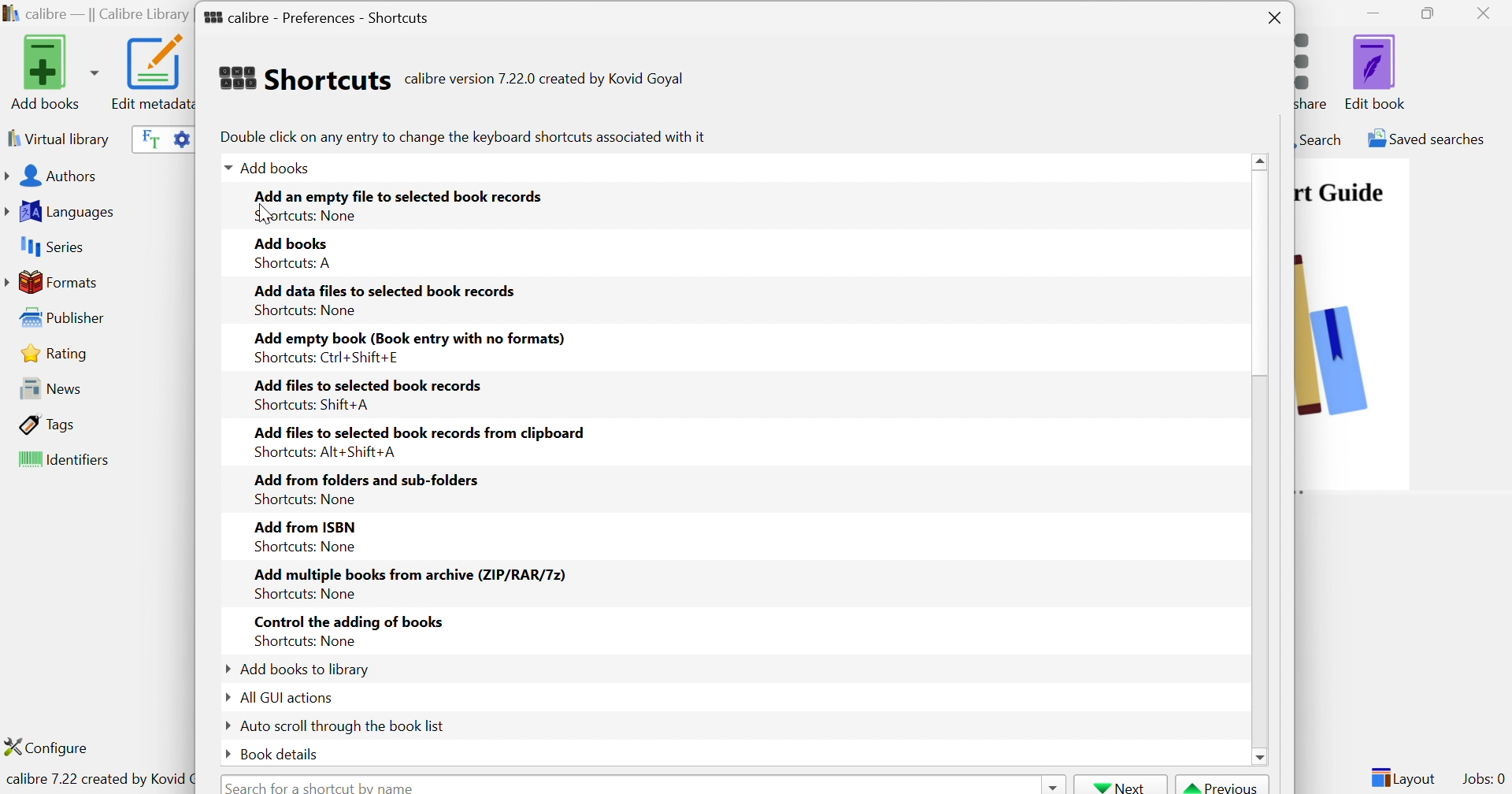  What do you see at coordinates (1376, 72) in the screenshot?
I see `Edit book` at bounding box center [1376, 72].